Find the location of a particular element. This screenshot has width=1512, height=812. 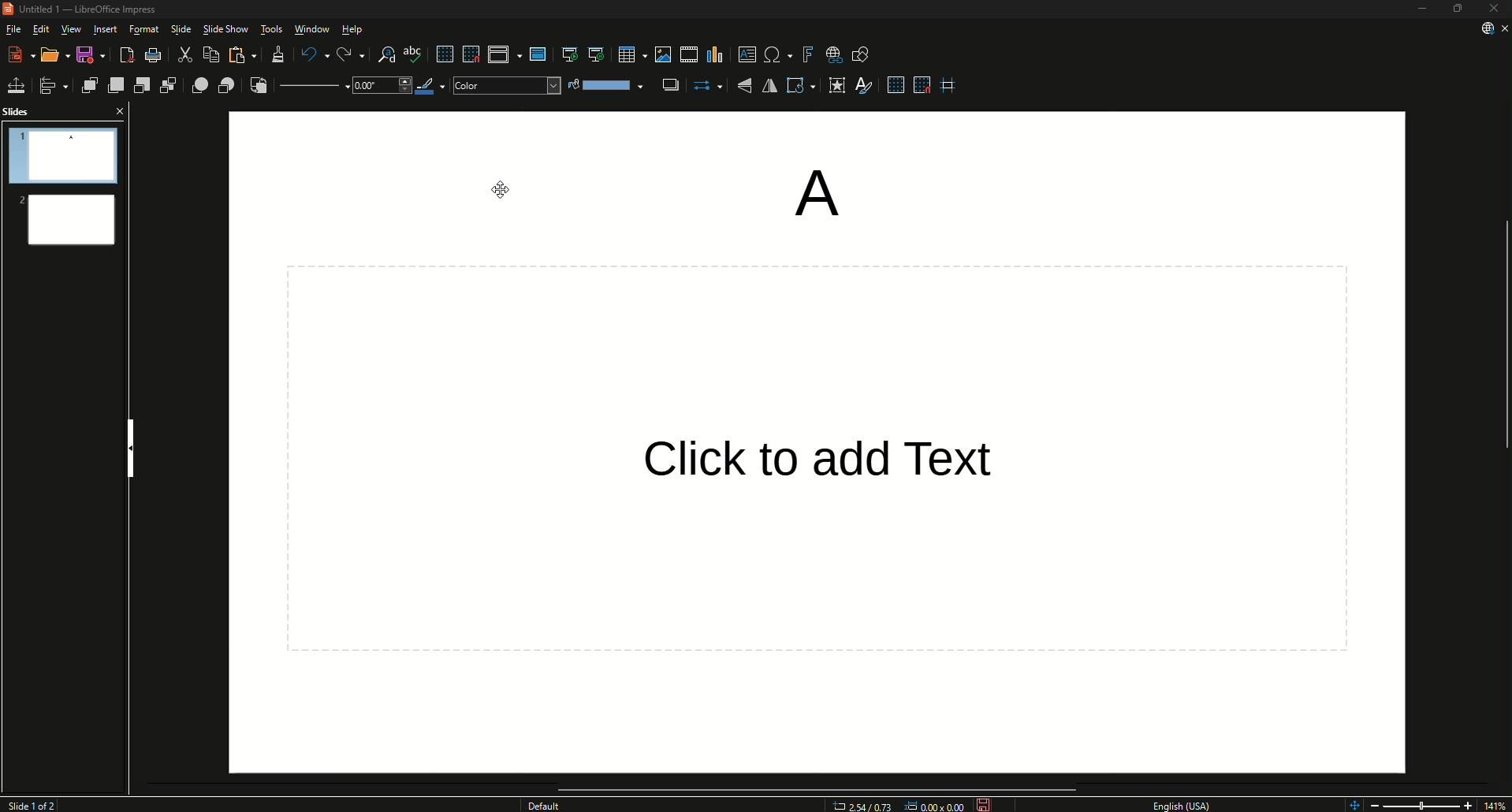

Window is located at coordinates (313, 28).